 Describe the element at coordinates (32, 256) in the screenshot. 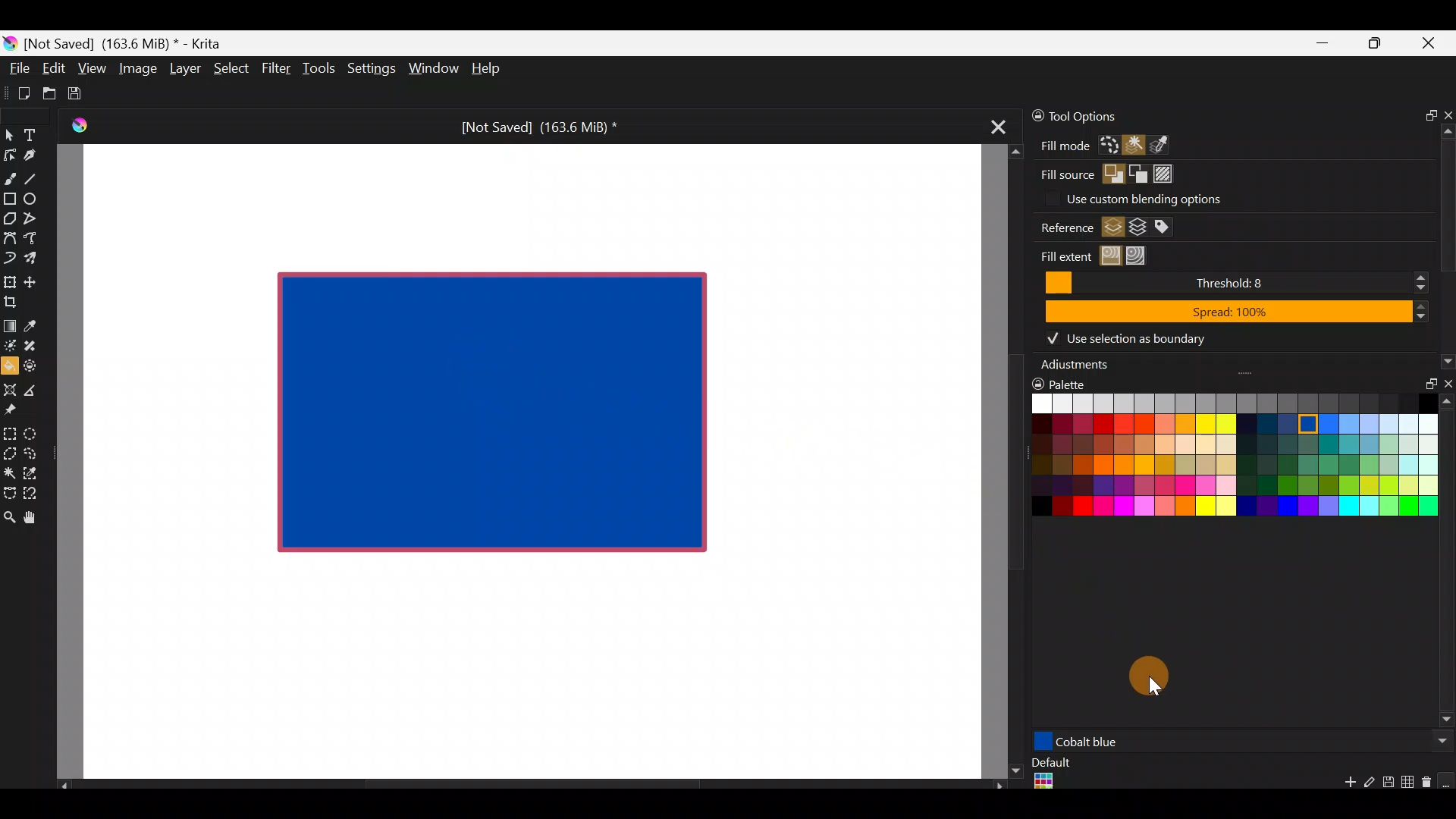

I see `Multibrush tool` at that location.